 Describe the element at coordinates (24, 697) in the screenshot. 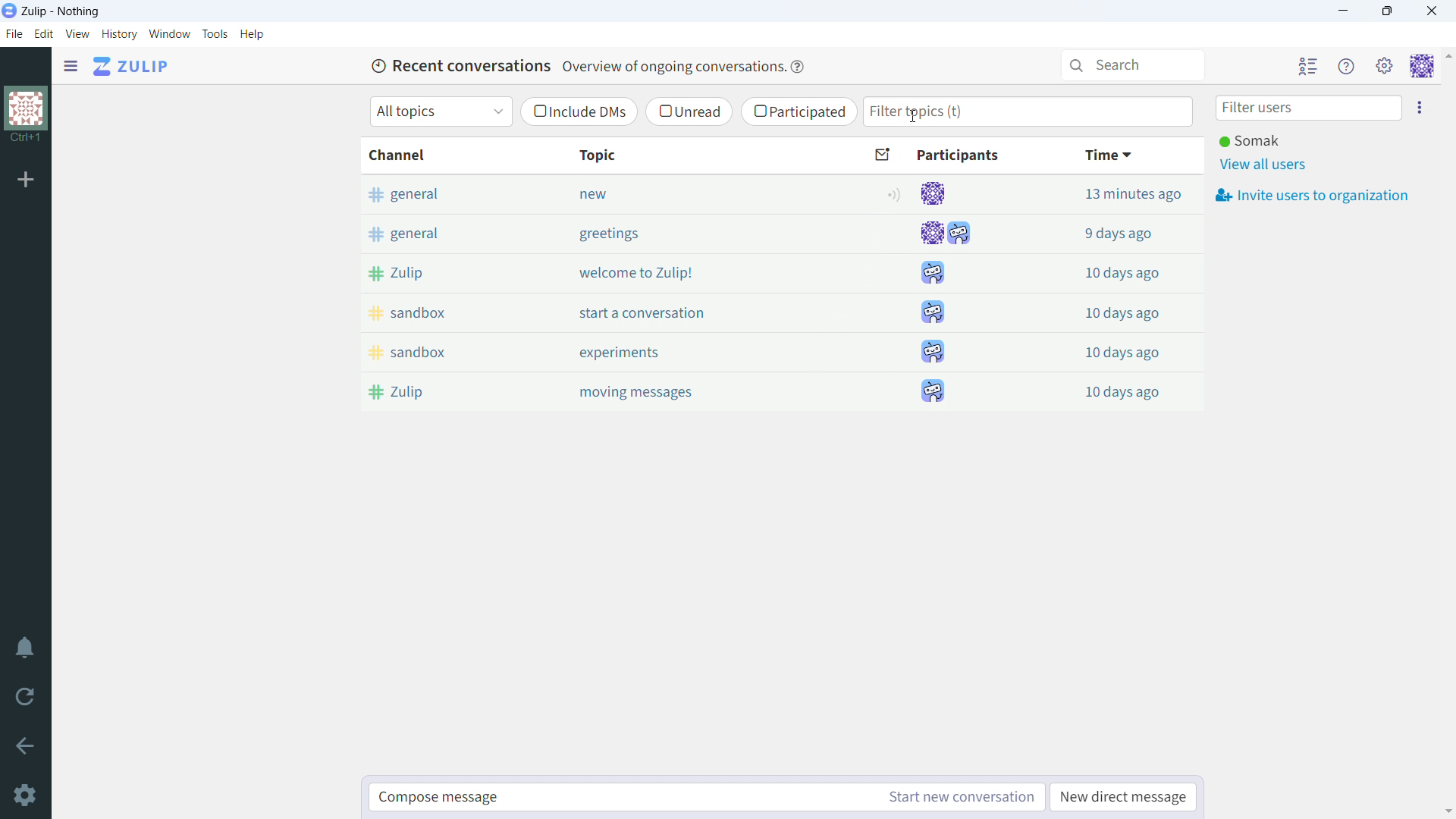

I see `reload` at that location.